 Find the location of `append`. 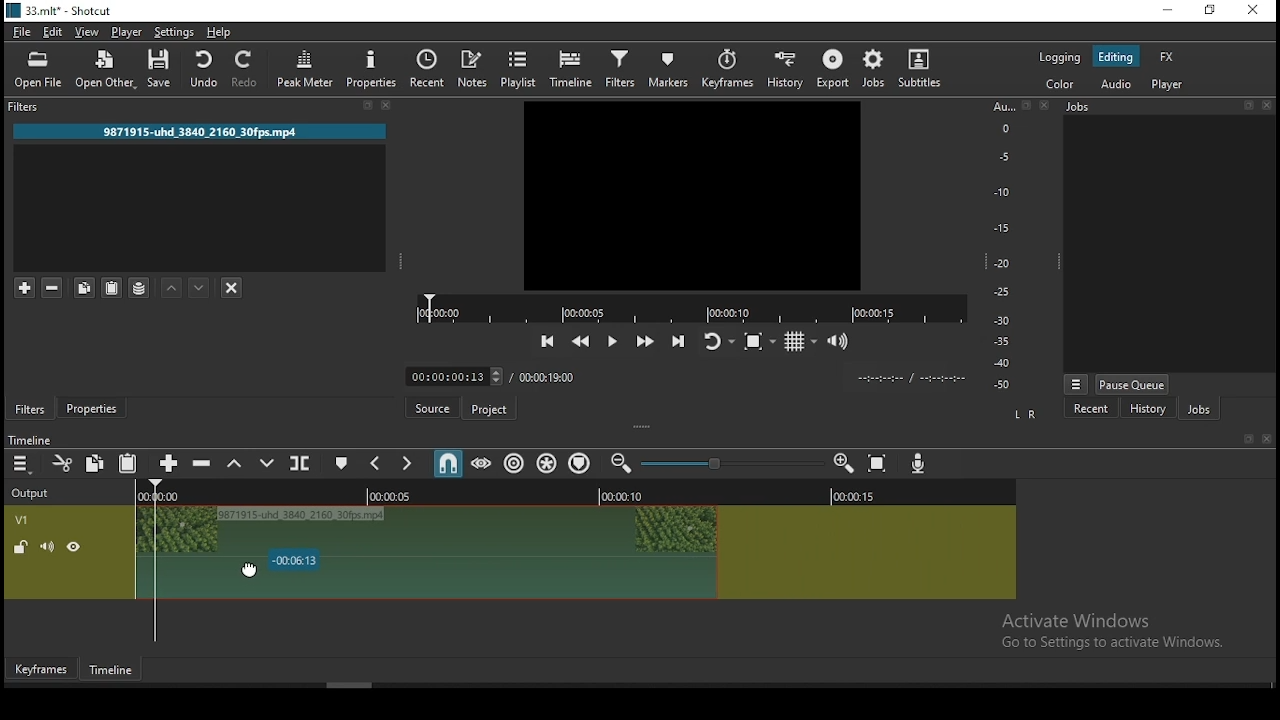

append is located at coordinates (171, 463).